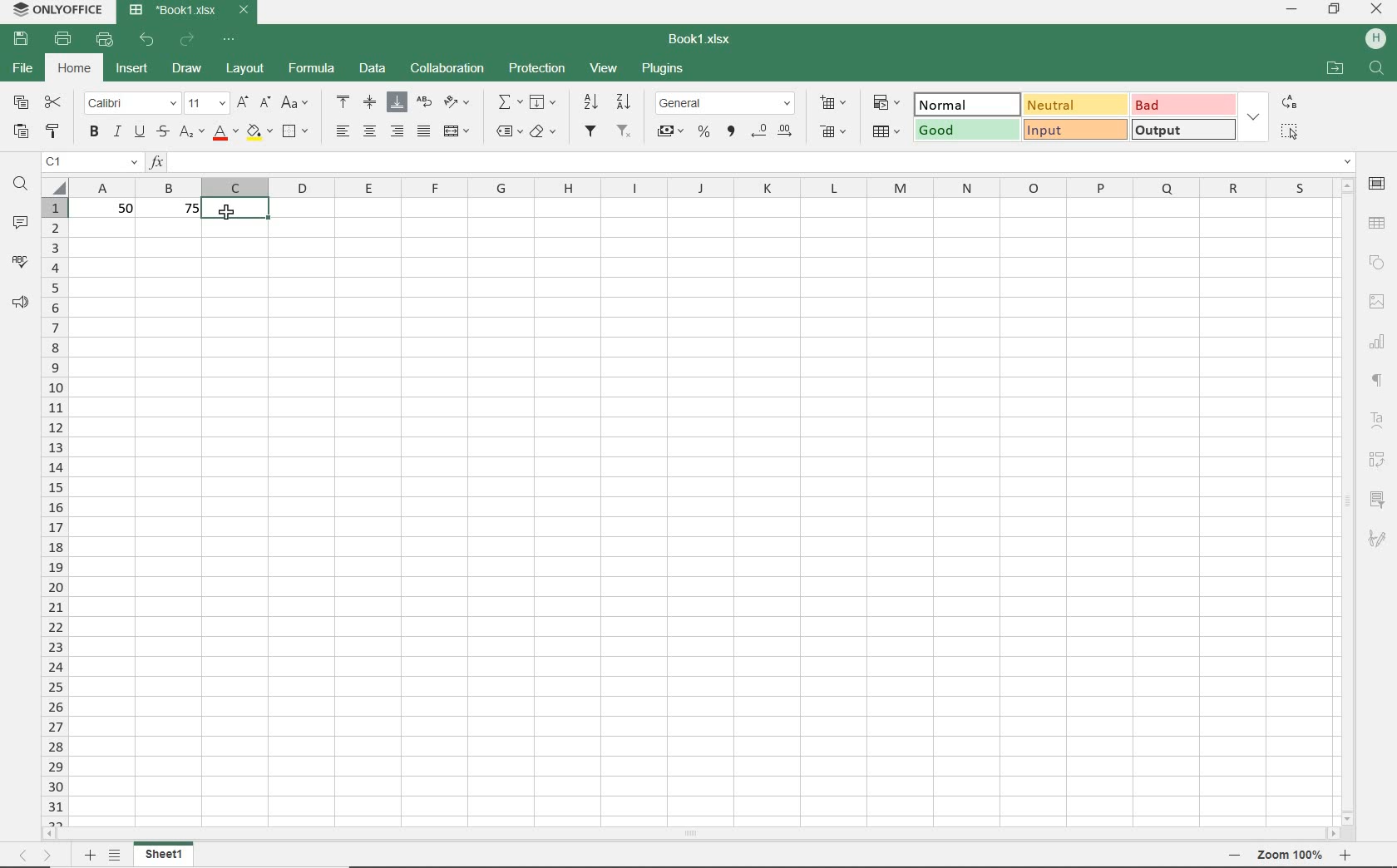 This screenshot has width=1397, height=868. I want to click on add sheets, so click(90, 855).